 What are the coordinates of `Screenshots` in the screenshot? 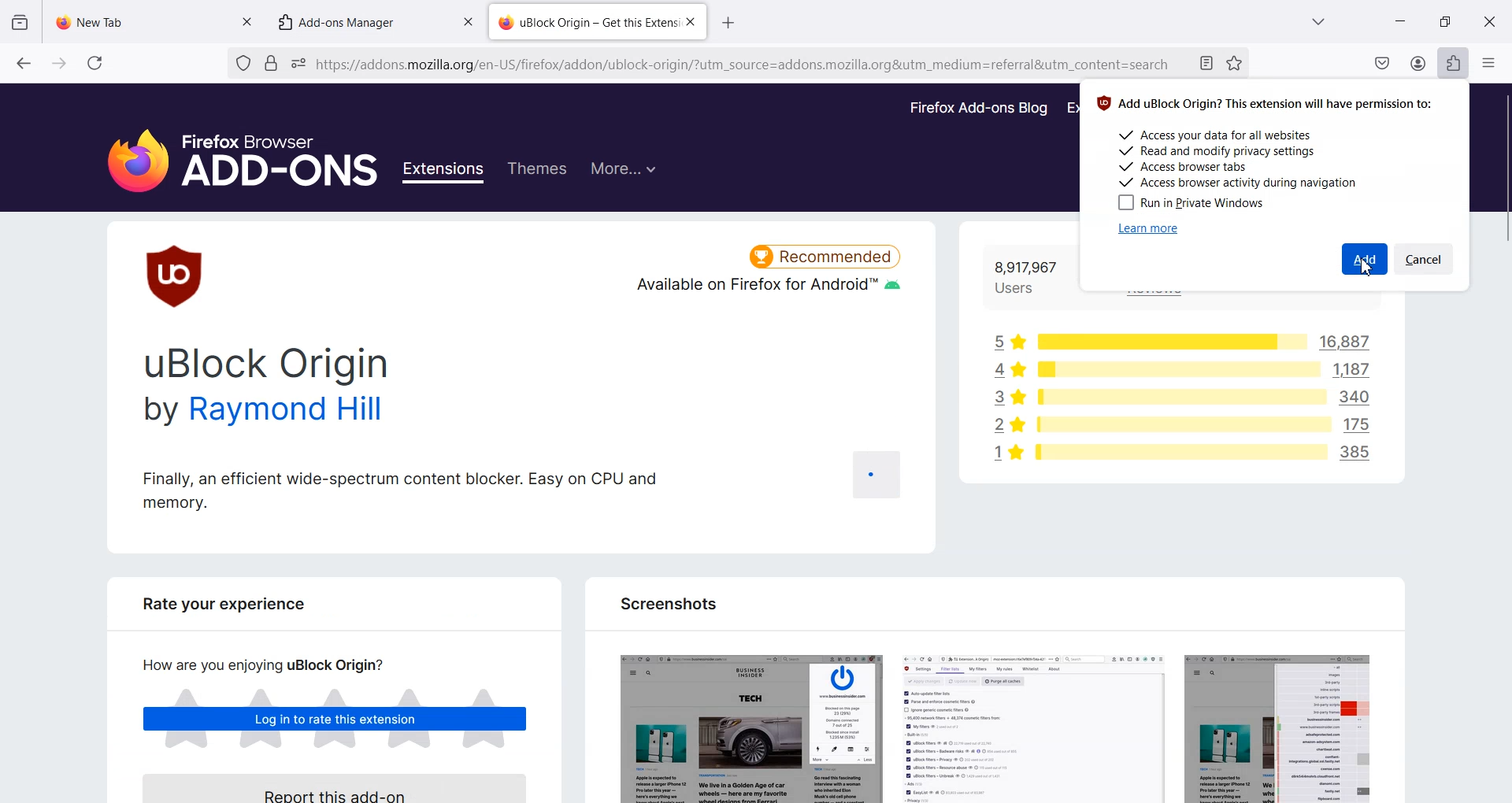 It's located at (666, 603).